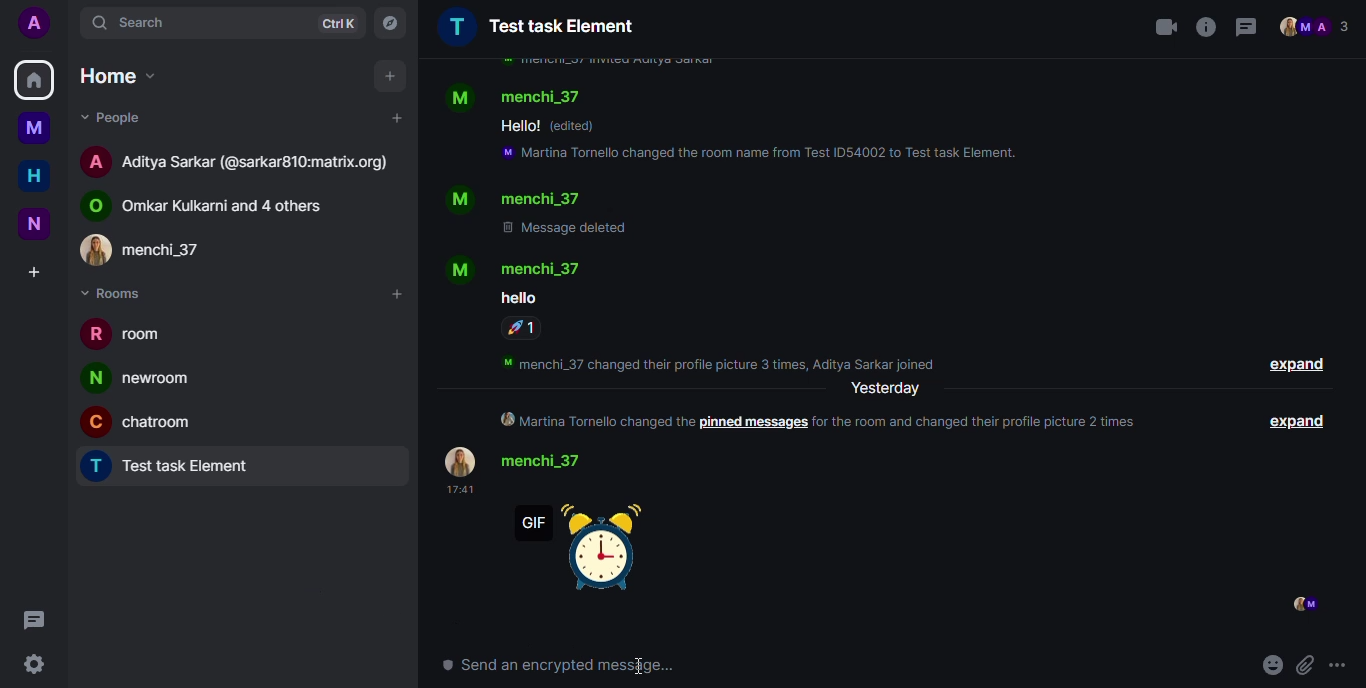 The height and width of the screenshot is (688, 1366). I want to click on people dropdown, so click(117, 118).